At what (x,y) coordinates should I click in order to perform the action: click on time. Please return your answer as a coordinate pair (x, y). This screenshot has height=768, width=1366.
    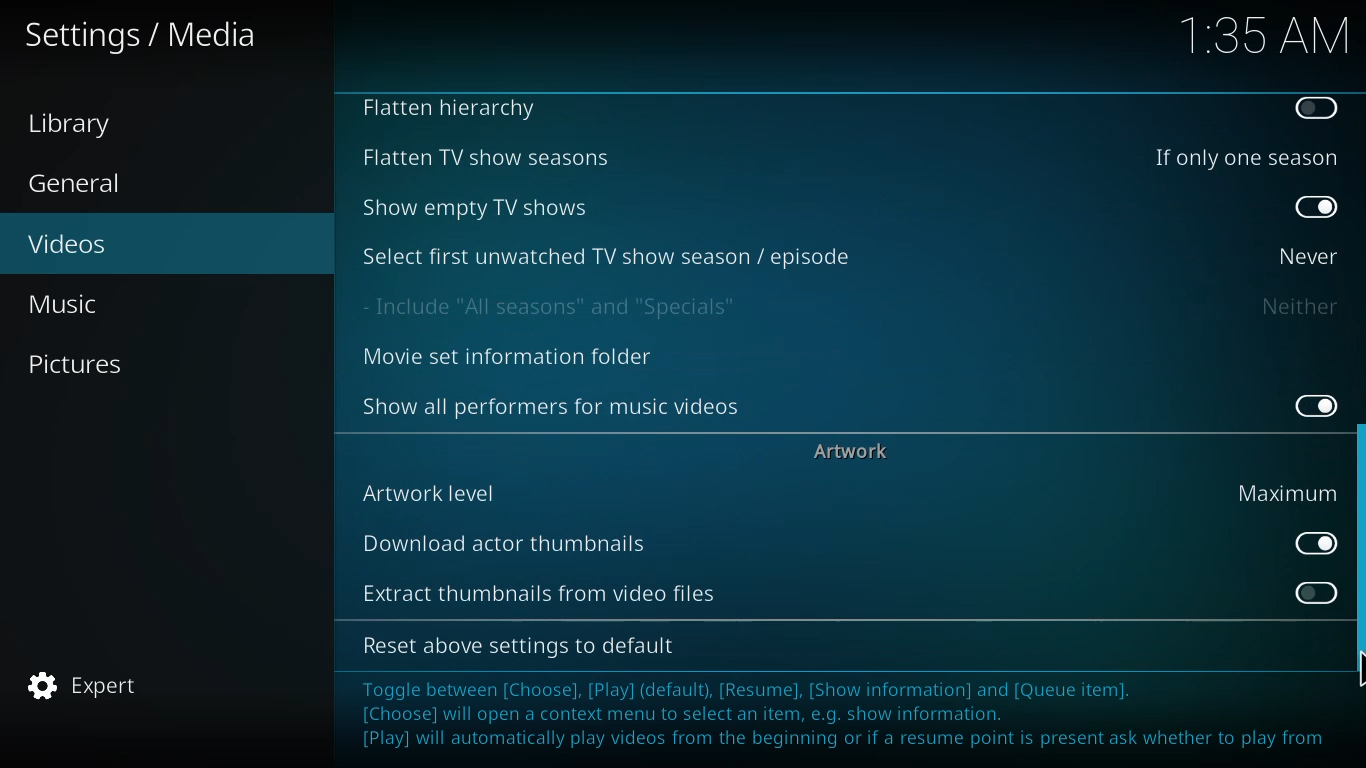
    Looking at the image, I should click on (1264, 33).